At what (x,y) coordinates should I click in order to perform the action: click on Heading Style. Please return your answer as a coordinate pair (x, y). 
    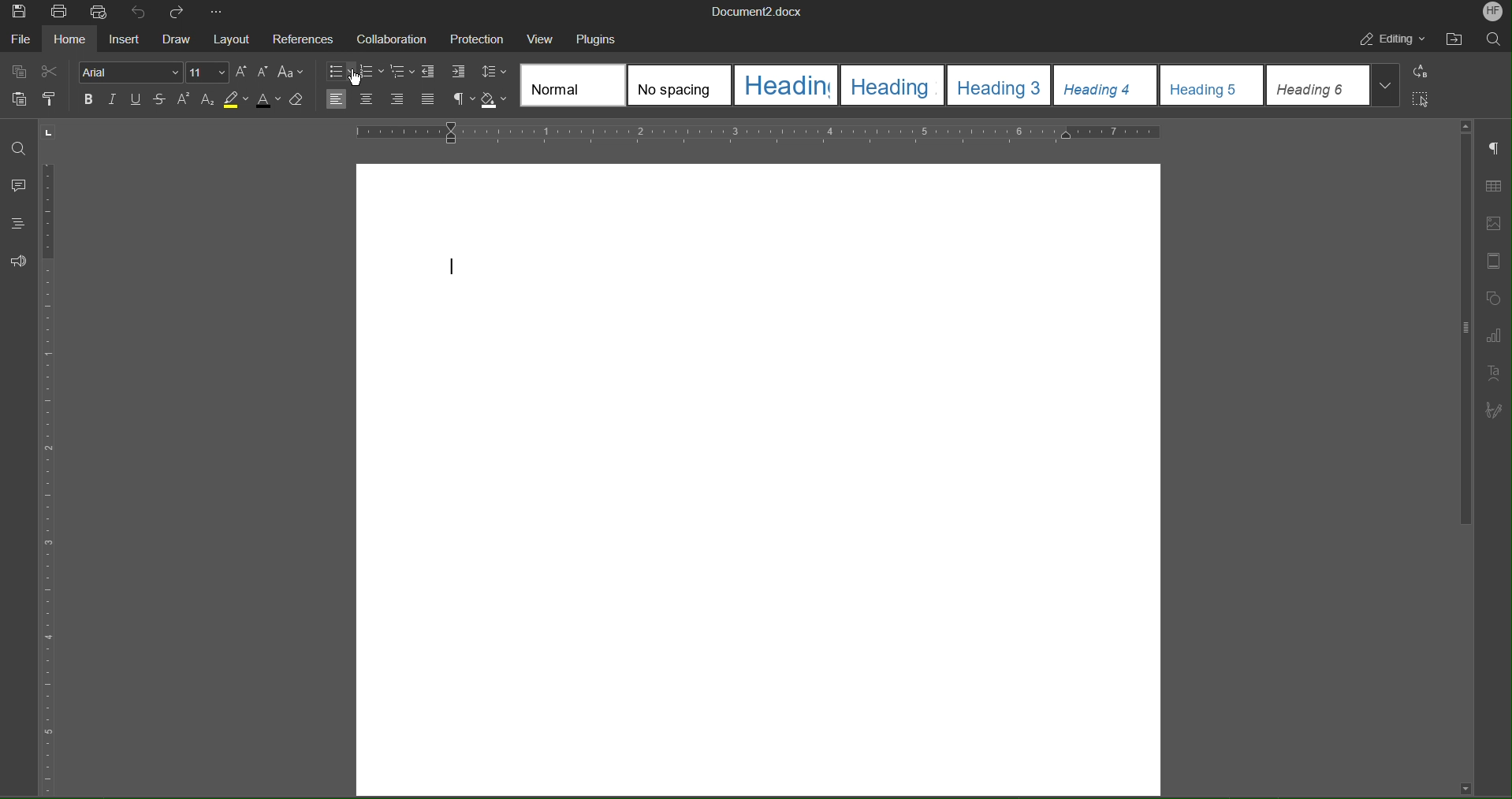
    Looking at the image, I should click on (963, 86).